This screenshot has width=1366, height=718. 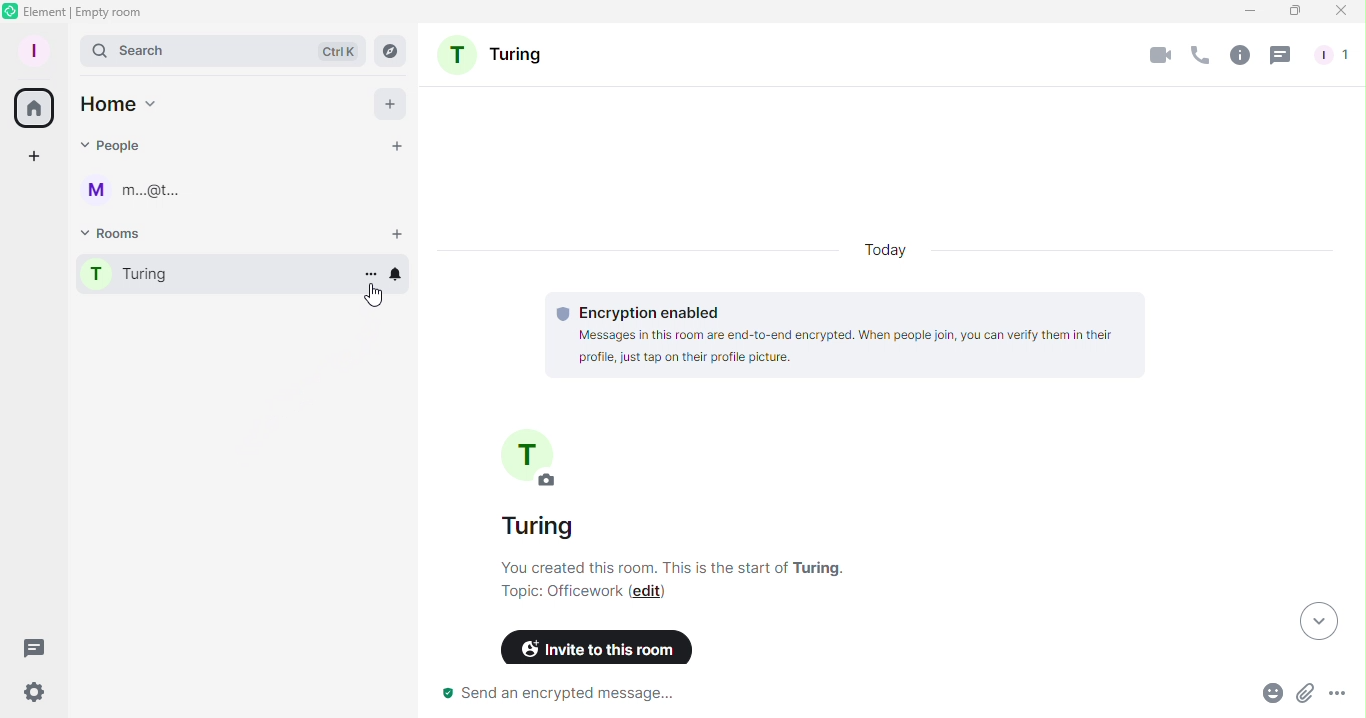 I want to click on Room options , so click(x=370, y=271).